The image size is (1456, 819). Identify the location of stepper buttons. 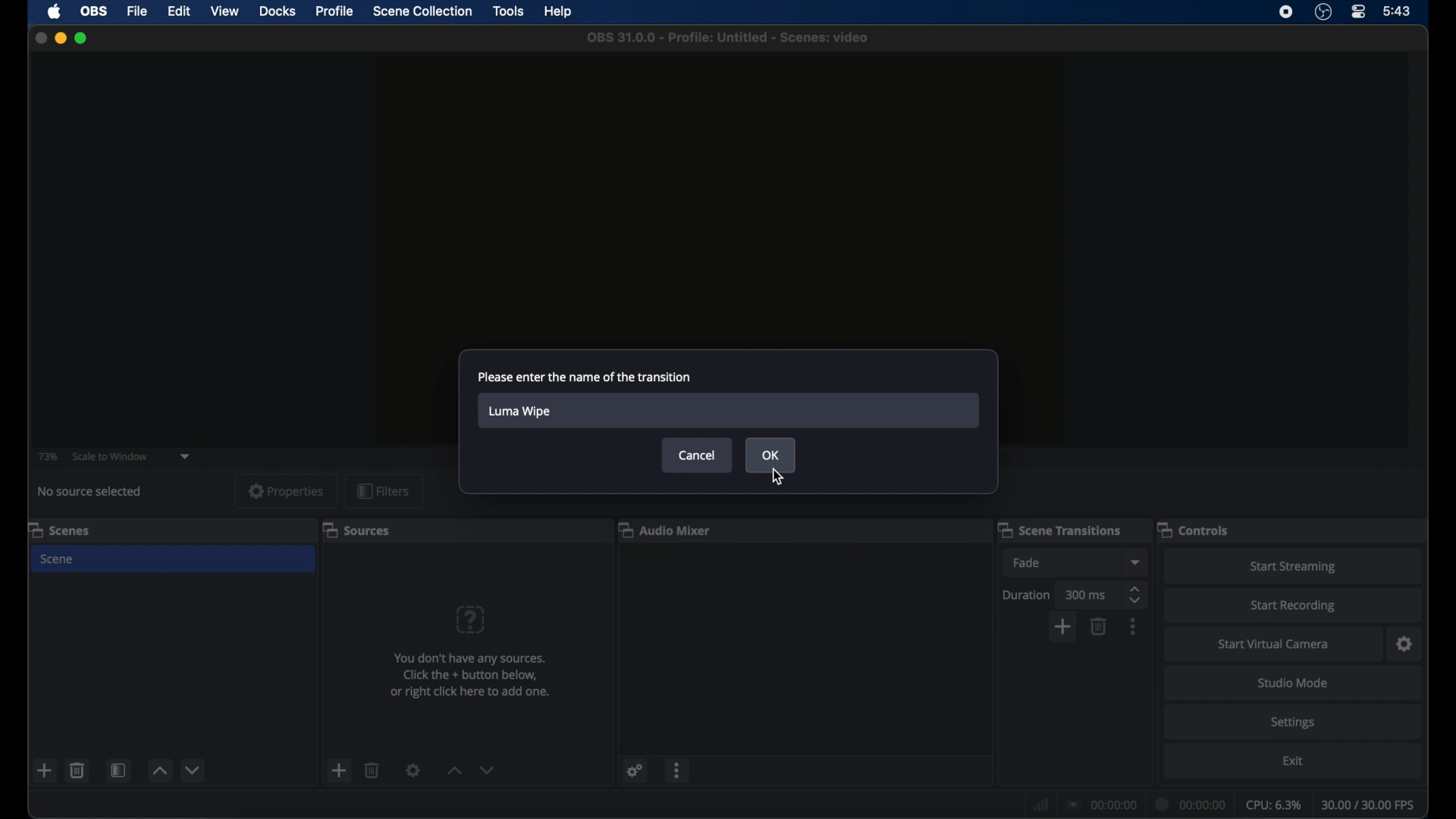
(1136, 595).